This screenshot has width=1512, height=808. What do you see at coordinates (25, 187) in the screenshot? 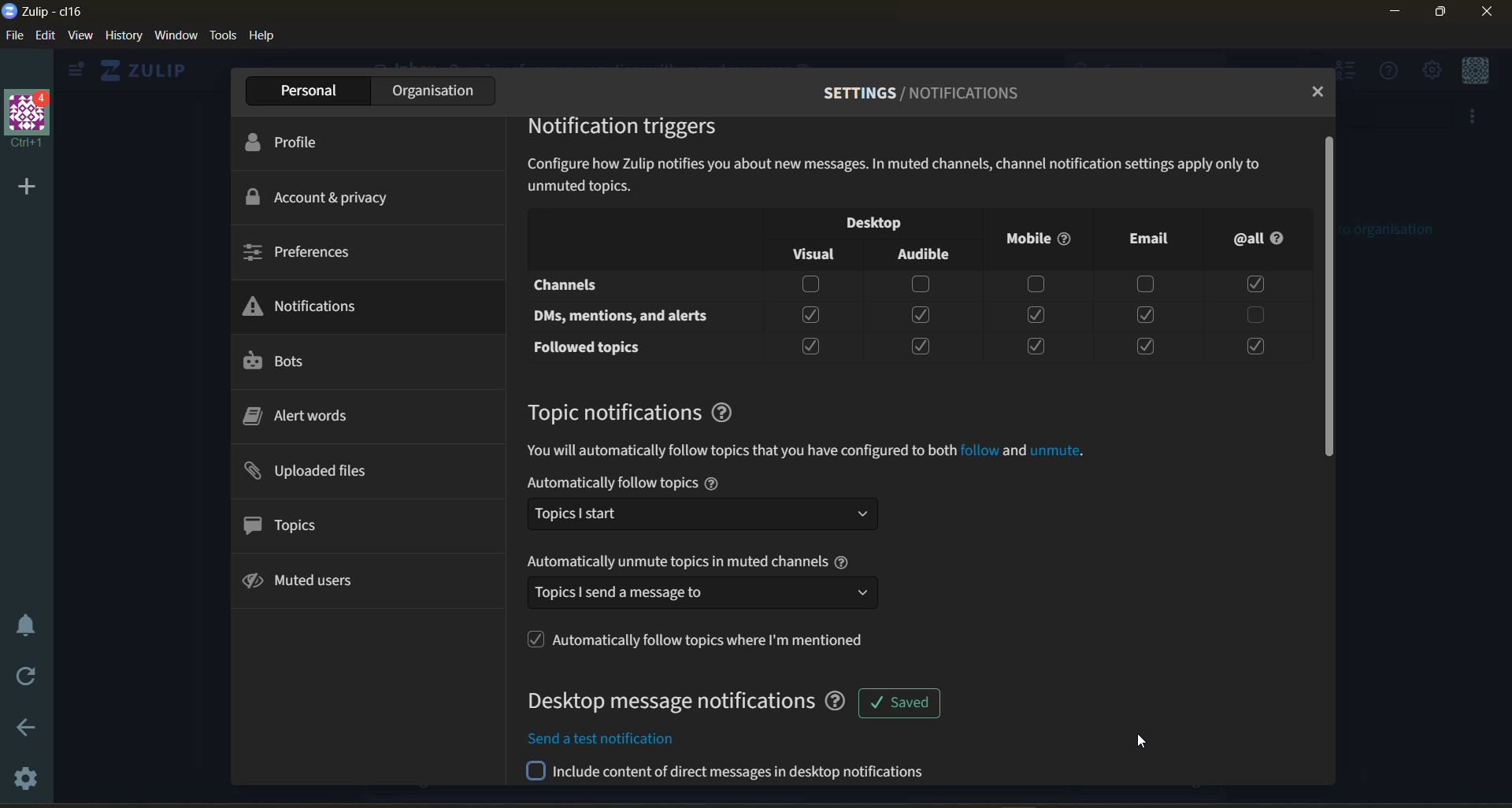
I see `add a new organisation` at bounding box center [25, 187].